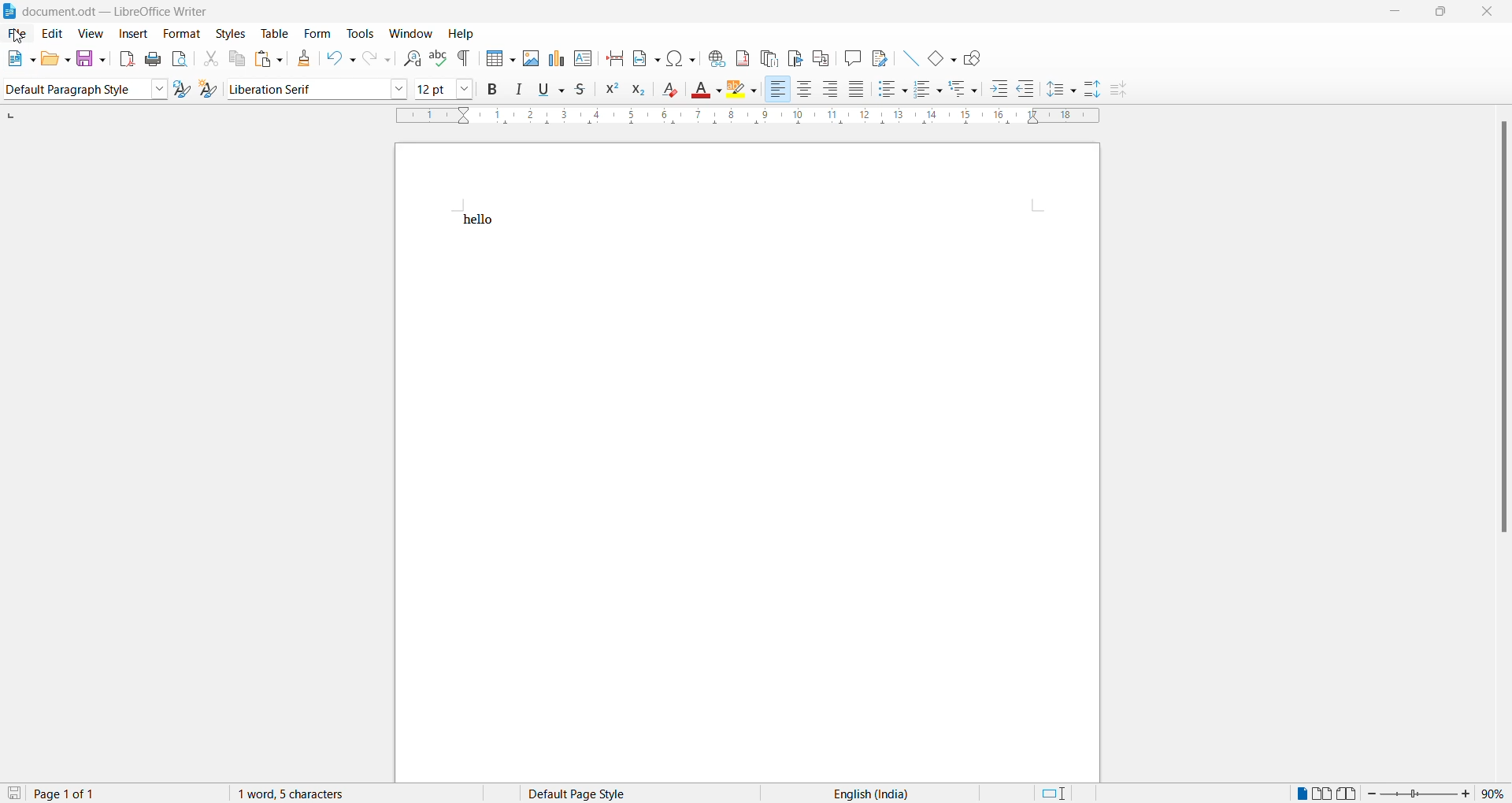 This screenshot has width=1512, height=803. I want to click on Toggle formatting marks, so click(466, 58).